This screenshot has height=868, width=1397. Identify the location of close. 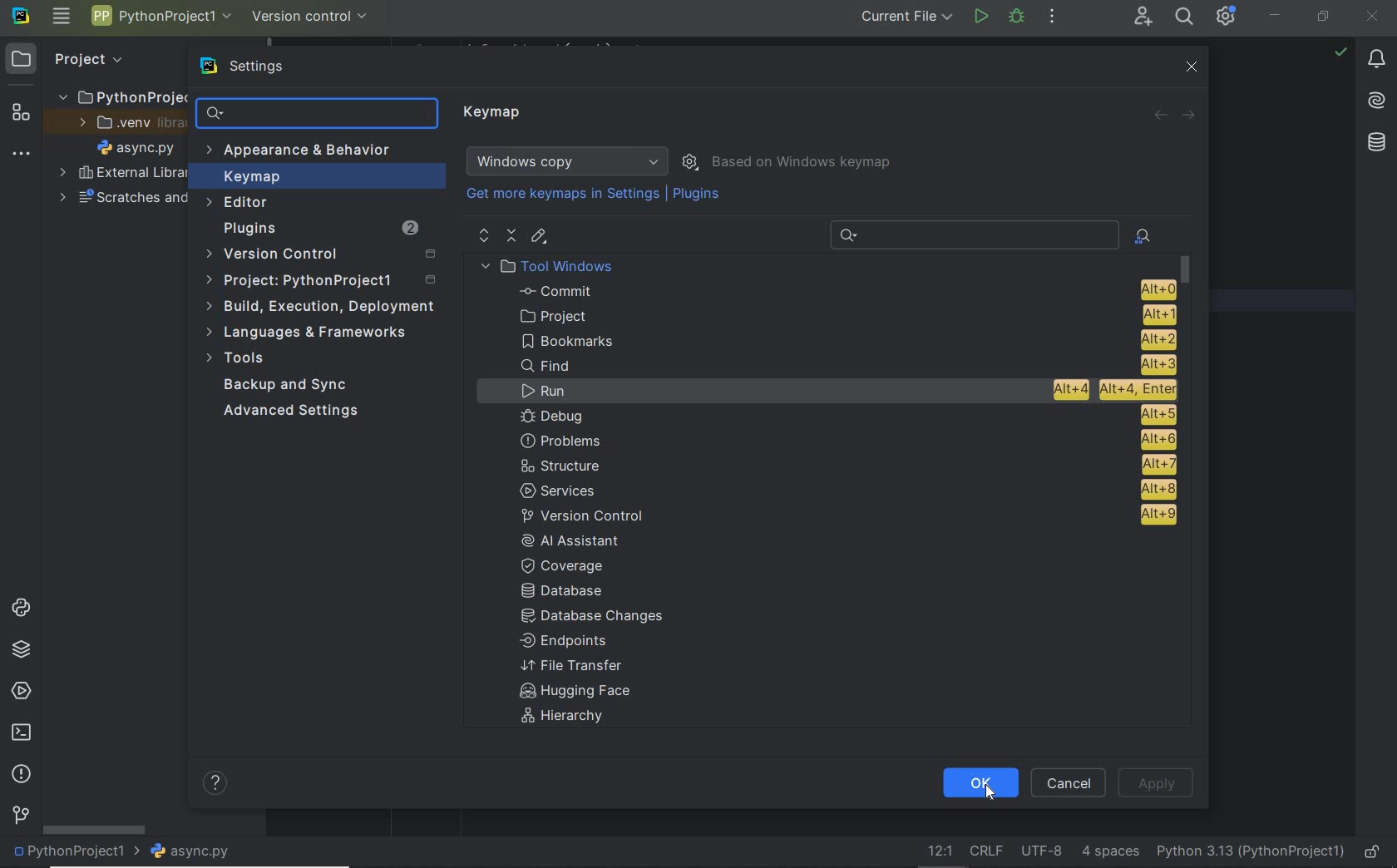
(1190, 67).